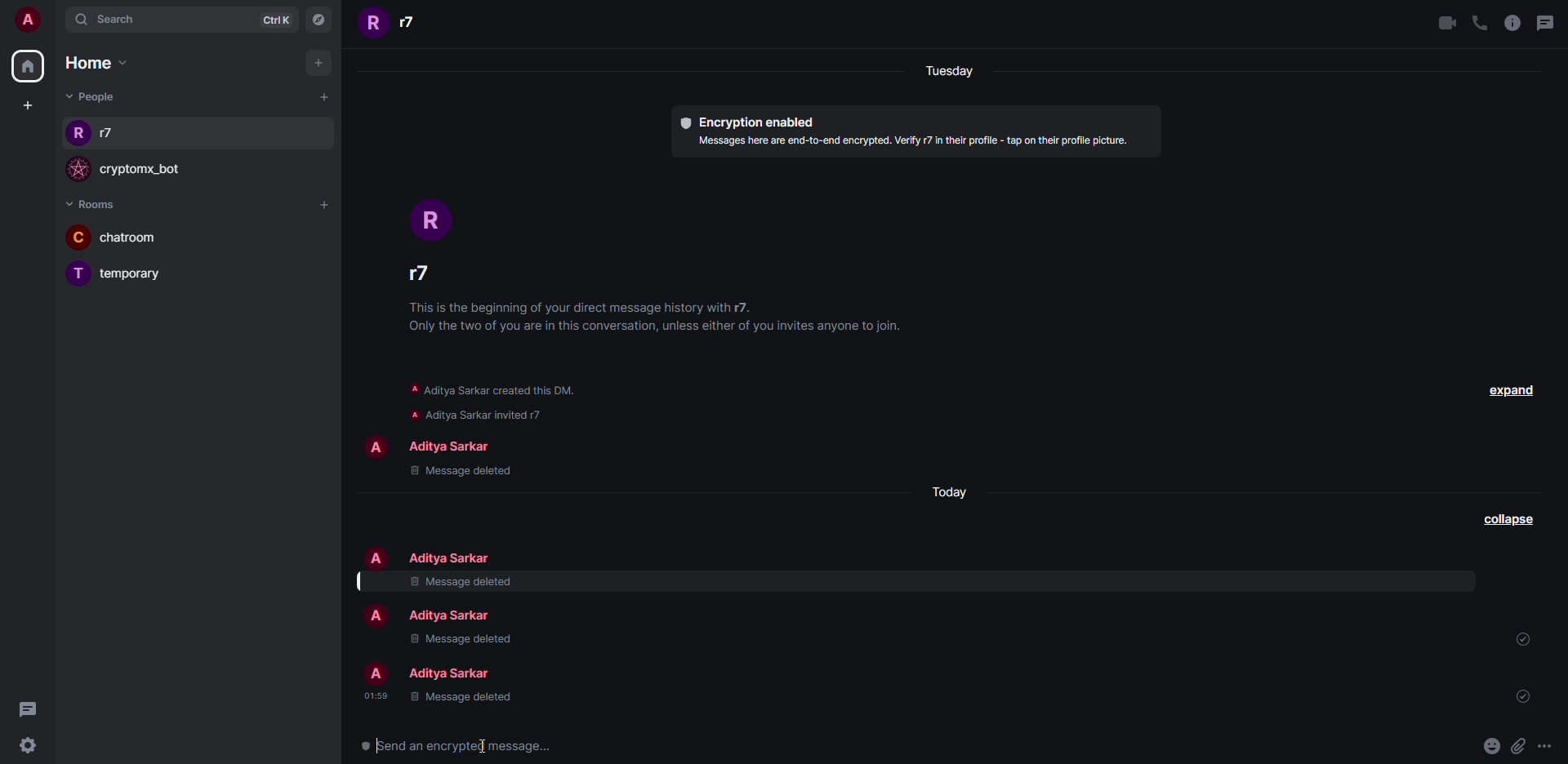 This screenshot has width=1568, height=764. Describe the element at coordinates (1445, 23) in the screenshot. I see `video call` at that location.